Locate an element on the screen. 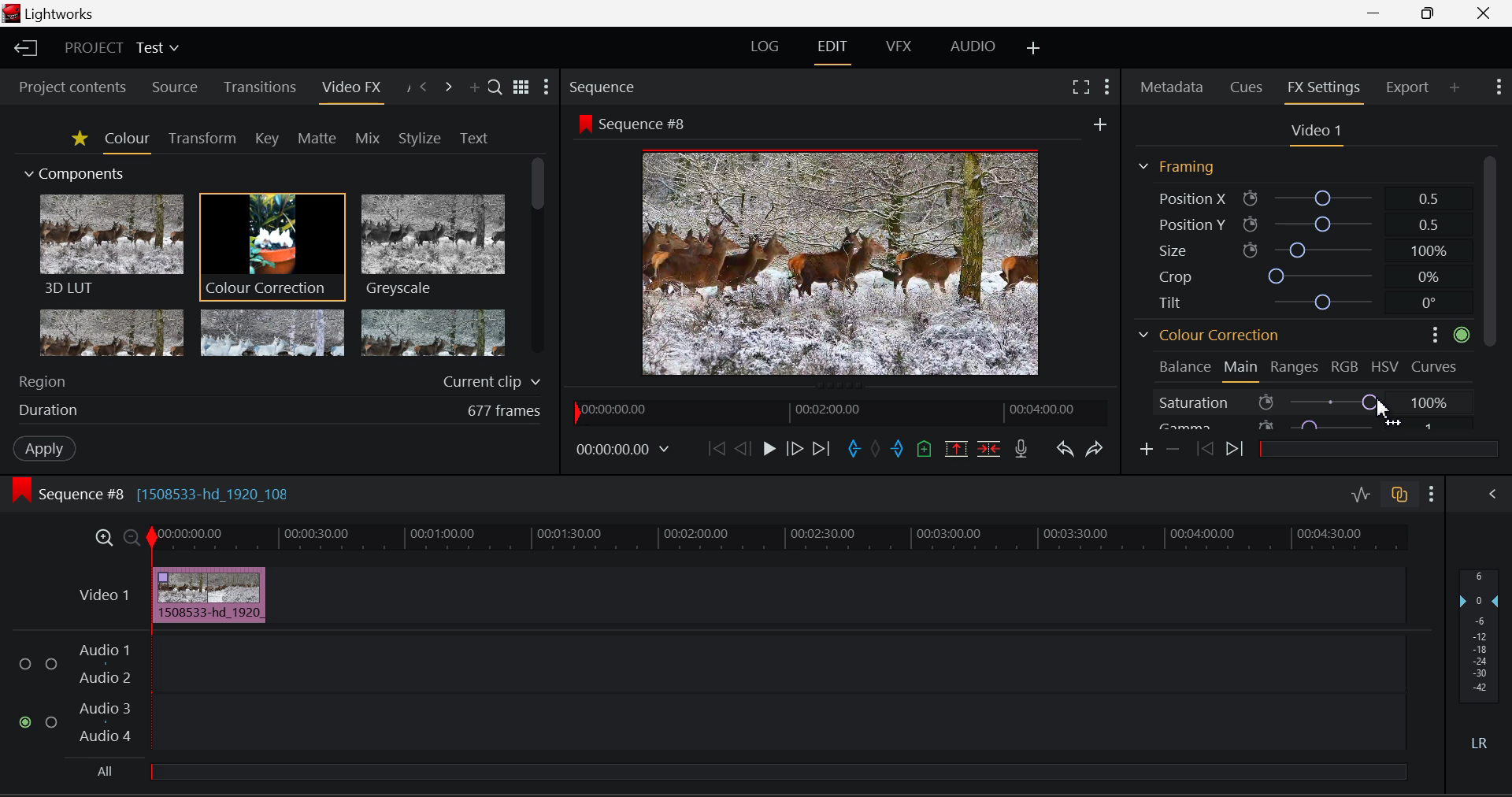  Remove keyframe is located at coordinates (1171, 451).